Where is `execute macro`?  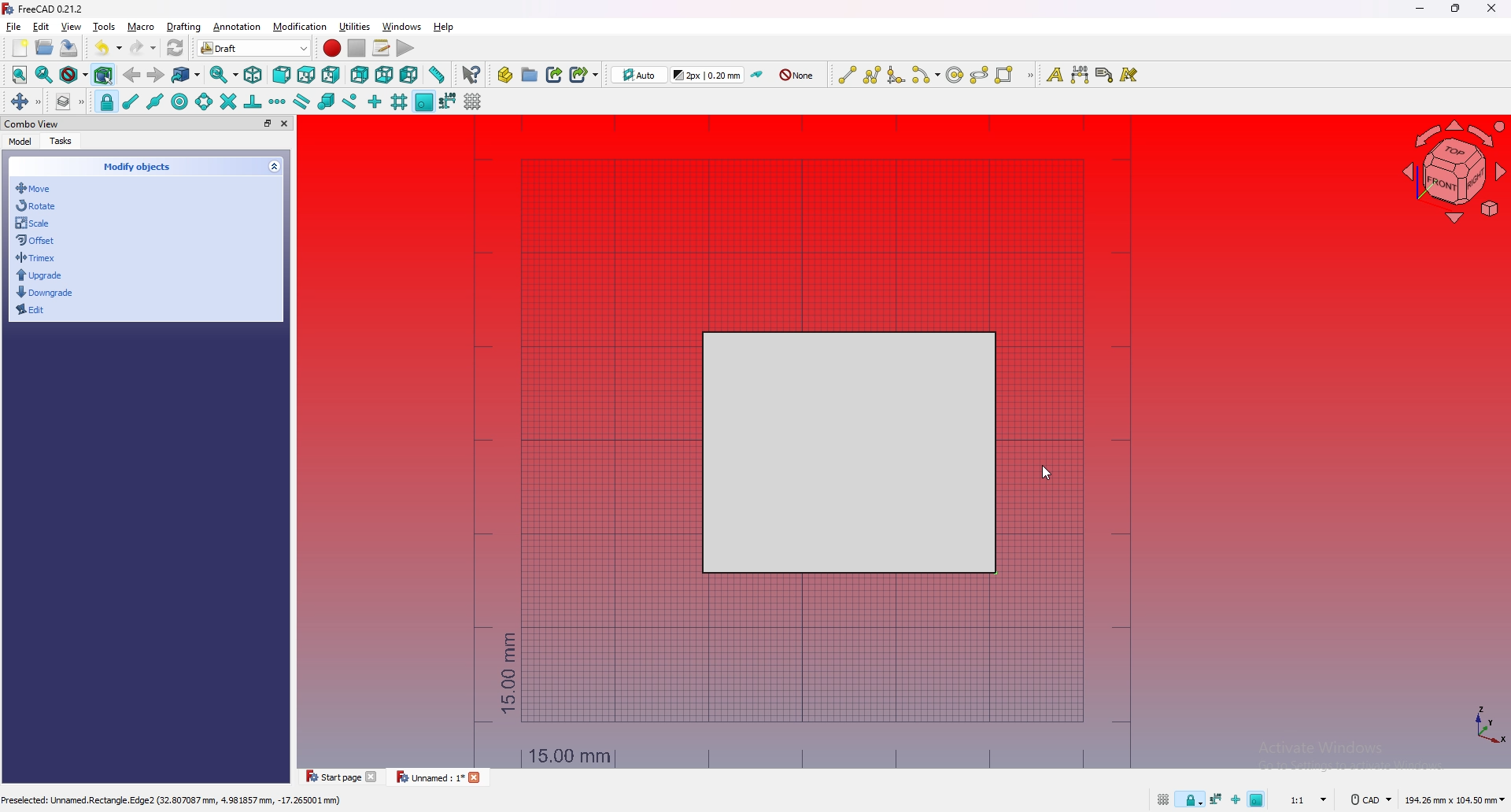 execute macro is located at coordinates (405, 48).